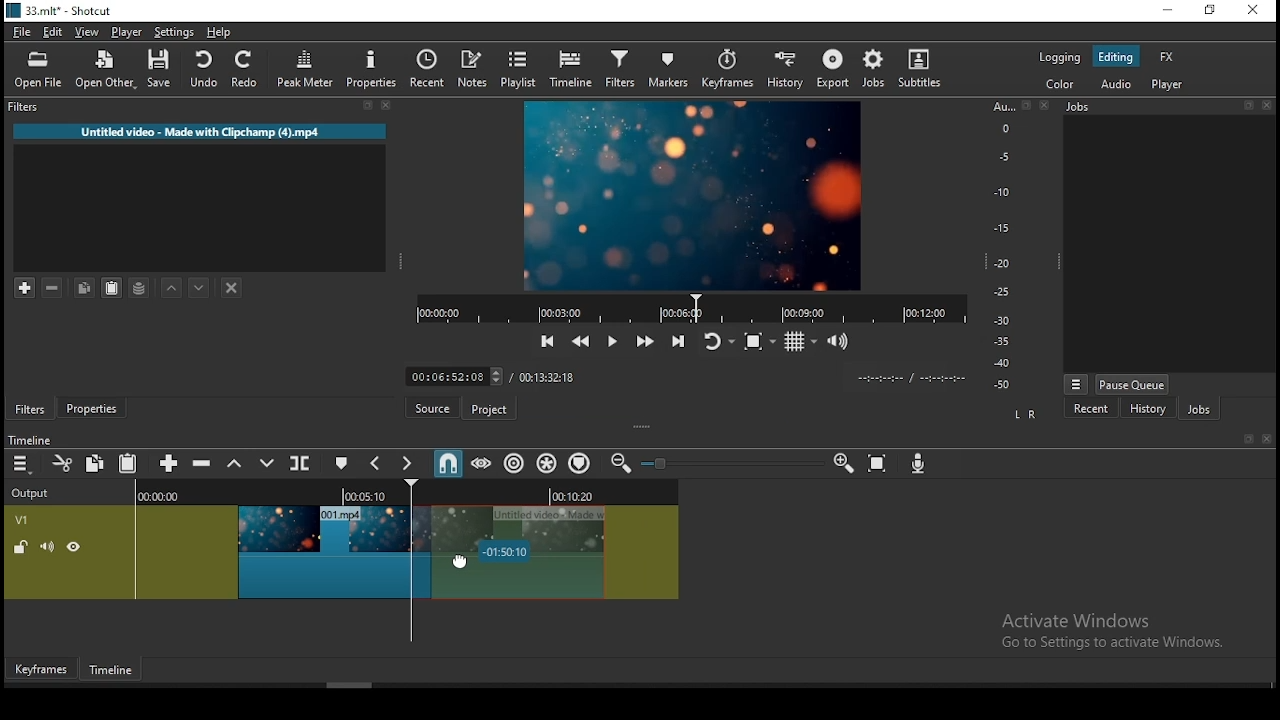  What do you see at coordinates (1167, 86) in the screenshot?
I see `player` at bounding box center [1167, 86].